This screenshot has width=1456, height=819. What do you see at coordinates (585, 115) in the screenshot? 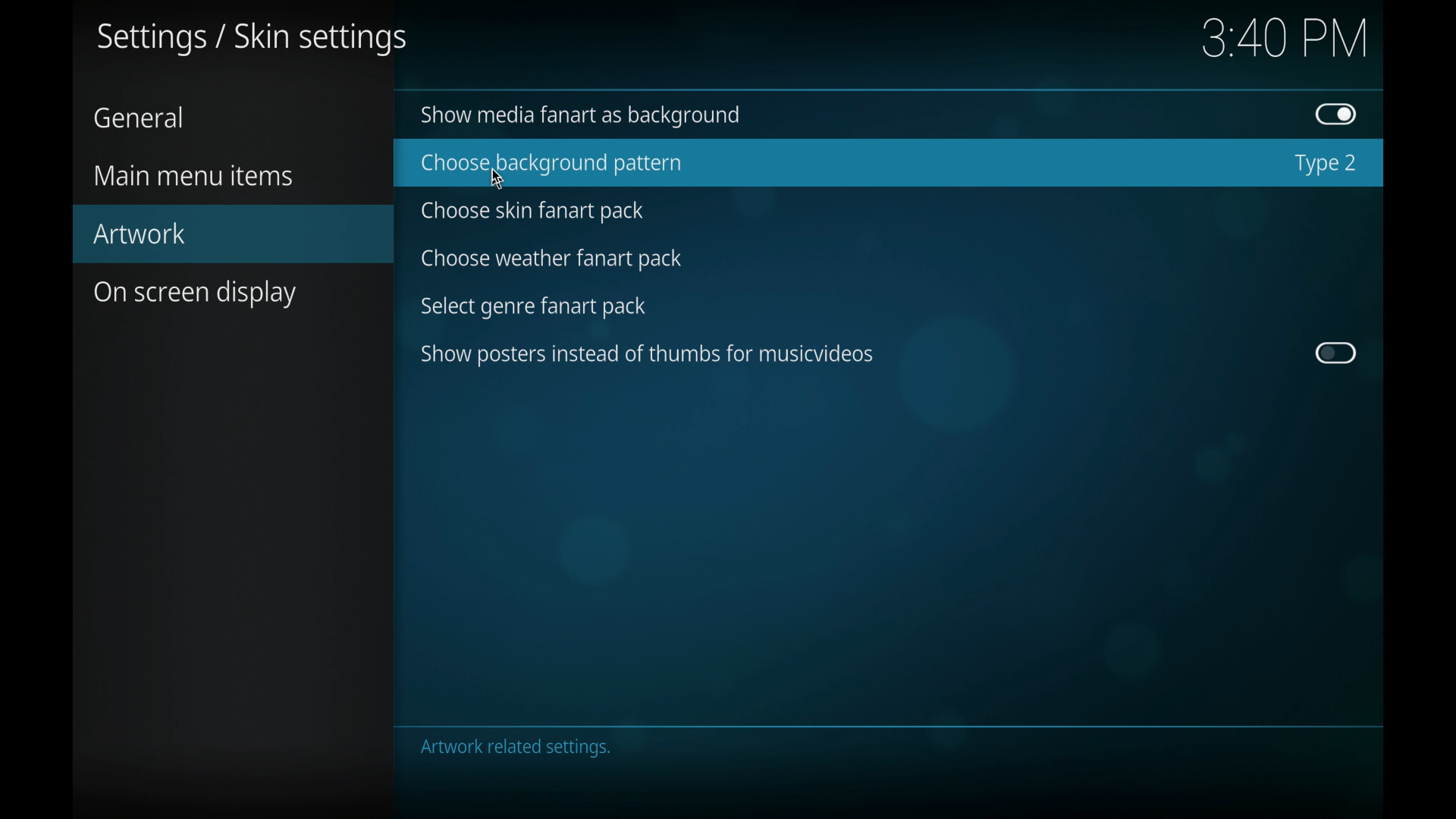
I see `show media fan art as background` at bounding box center [585, 115].